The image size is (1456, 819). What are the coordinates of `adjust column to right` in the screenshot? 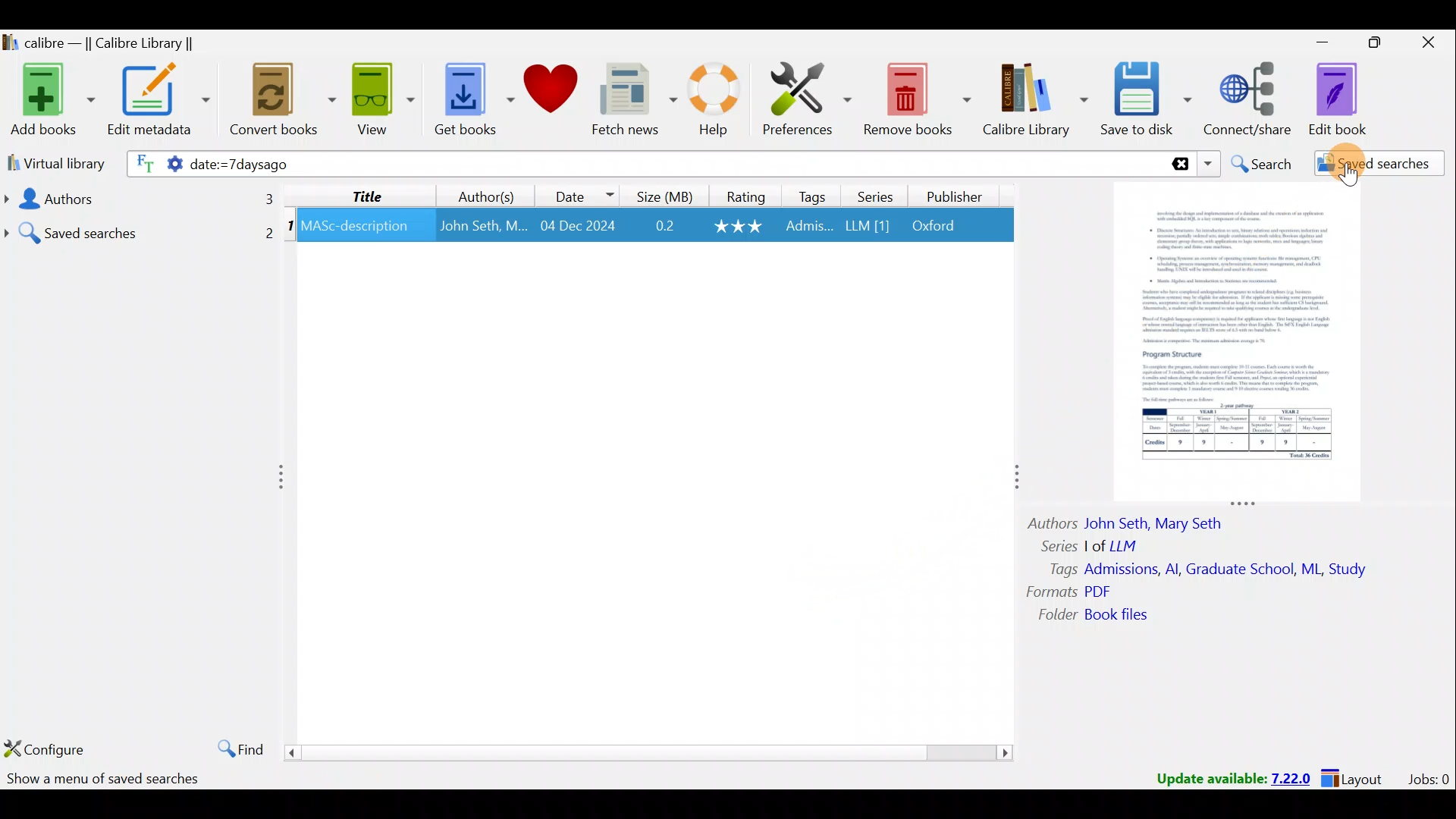 It's located at (1015, 481).